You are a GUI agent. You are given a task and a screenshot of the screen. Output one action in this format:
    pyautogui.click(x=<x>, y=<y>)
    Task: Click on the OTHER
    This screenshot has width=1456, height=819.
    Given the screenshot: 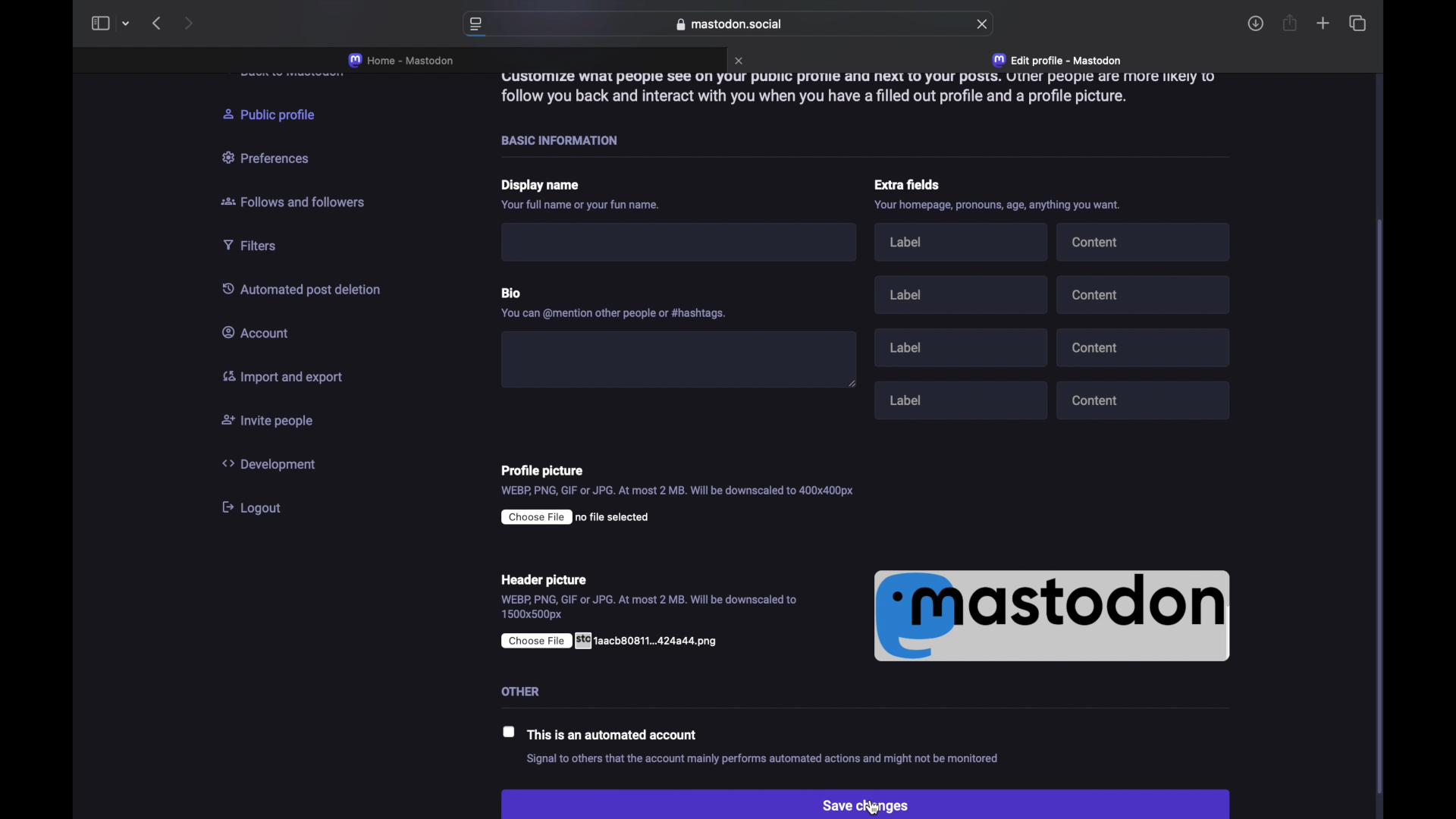 What is the action you would take?
    pyautogui.click(x=523, y=692)
    